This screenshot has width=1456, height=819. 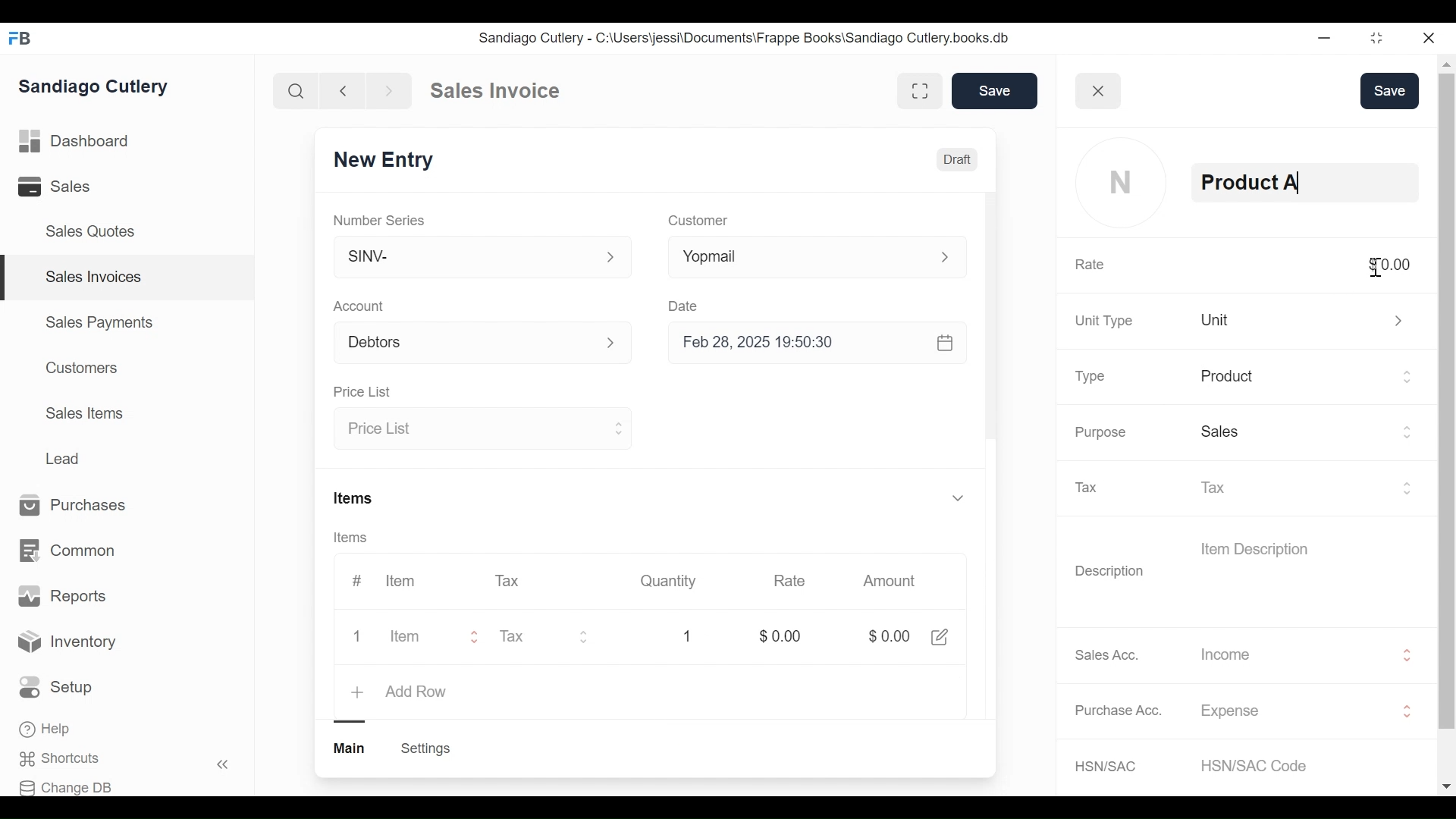 What do you see at coordinates (686, 304) in the screenshot?
I see `Date` at bounding box center [686, 304].